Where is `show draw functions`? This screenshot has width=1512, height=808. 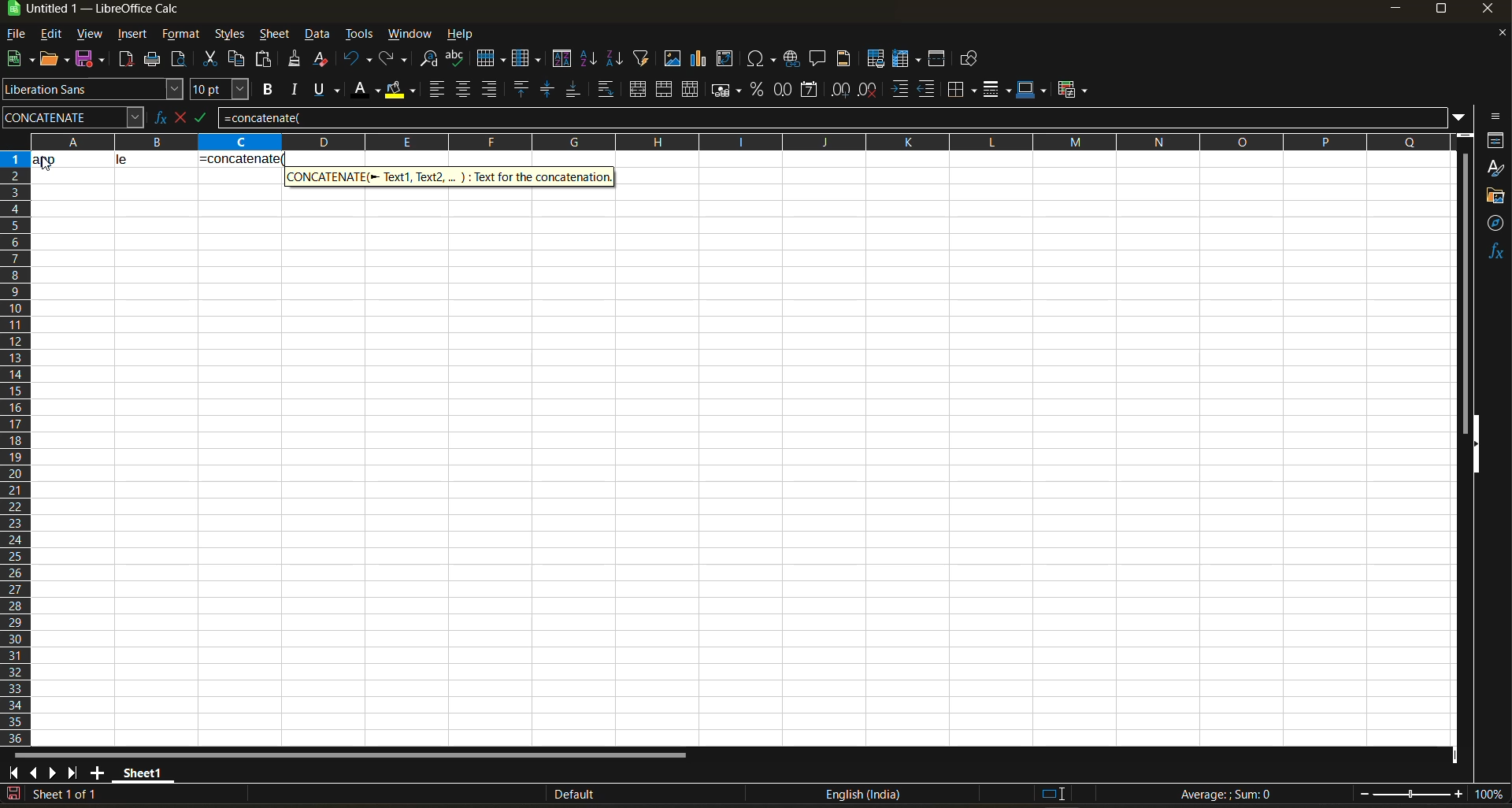 show draw functions is located at coordinates (966, 61).